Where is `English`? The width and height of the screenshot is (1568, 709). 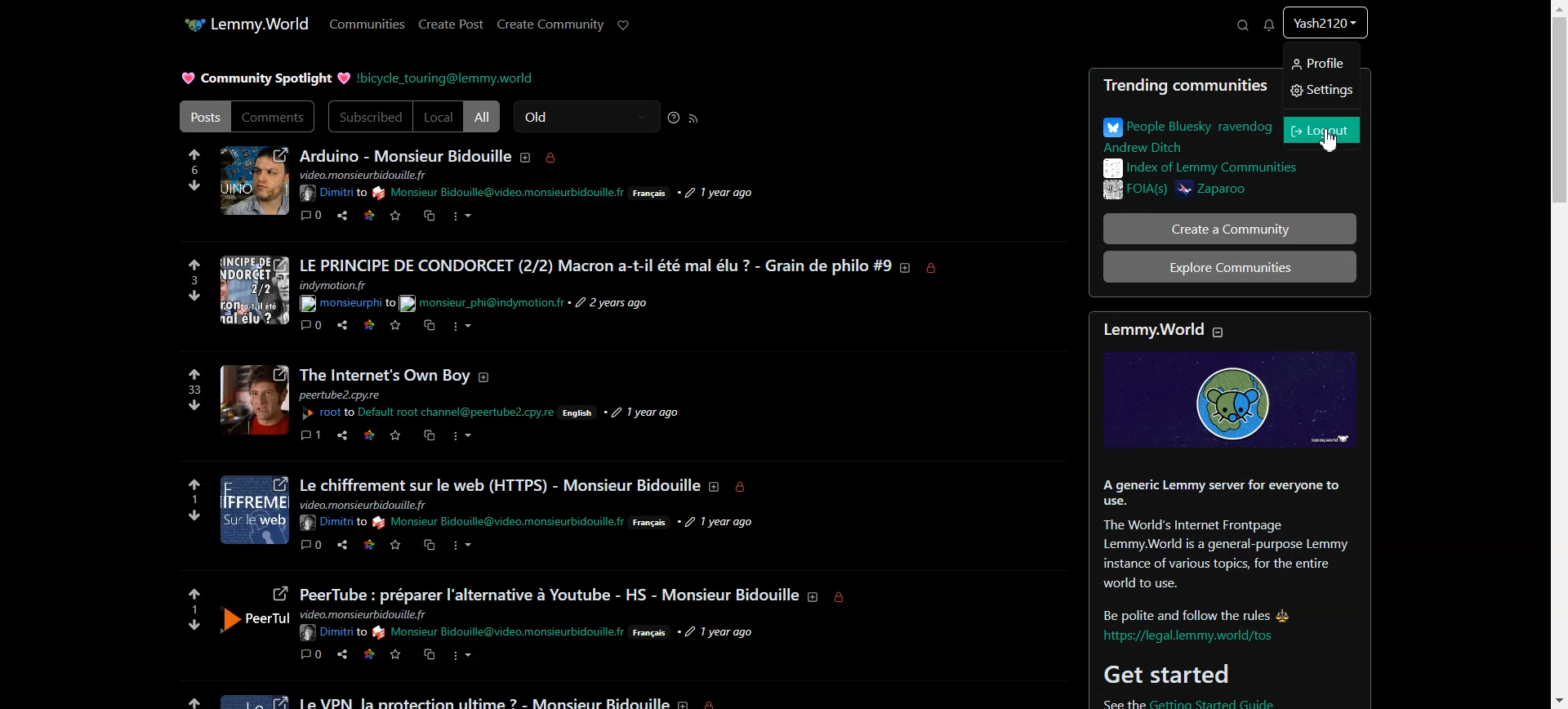
English is located at coordinates (581, 414).